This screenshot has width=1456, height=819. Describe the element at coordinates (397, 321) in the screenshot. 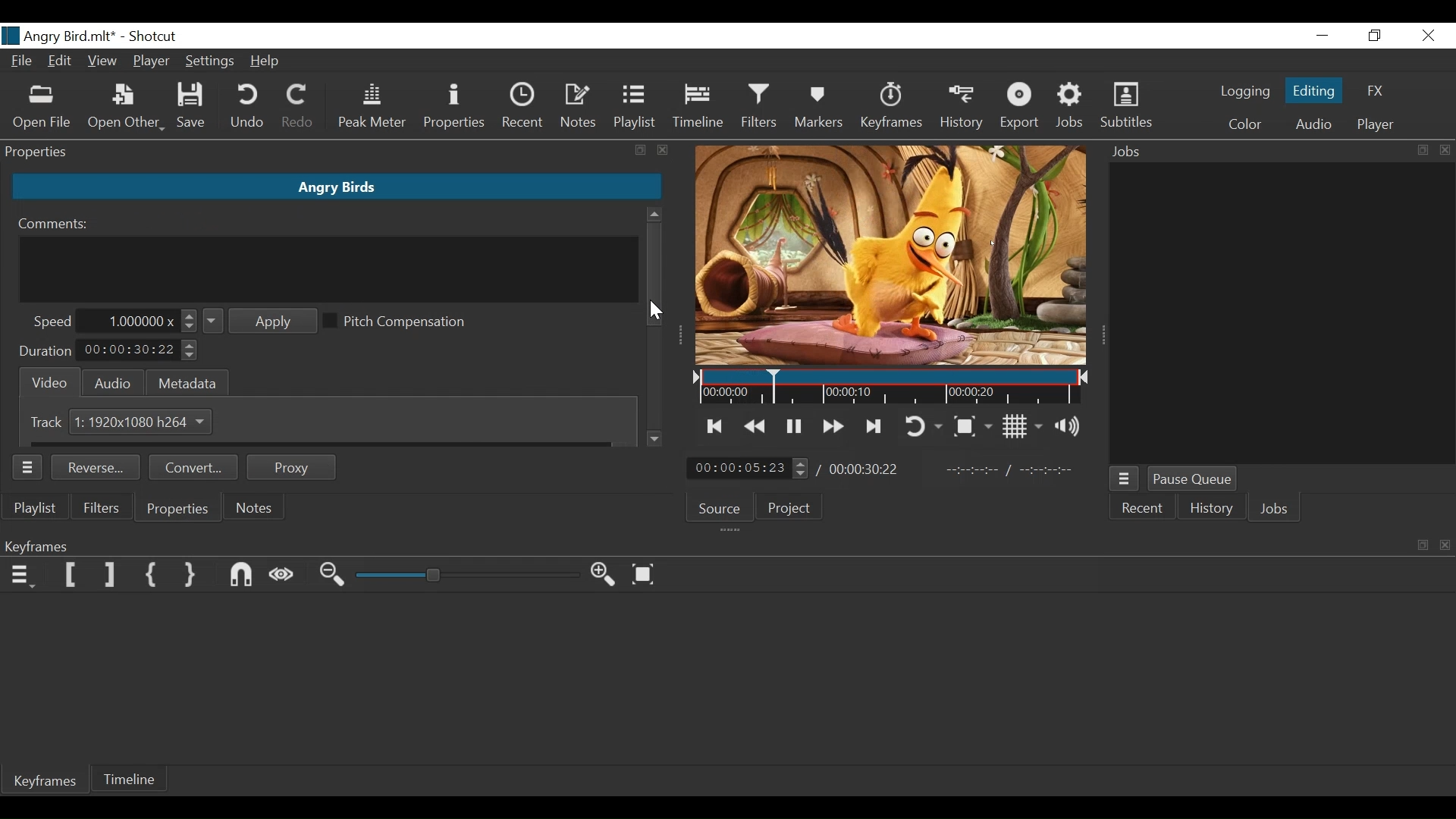

I see `(un)select Pitch Compensation` at that location.